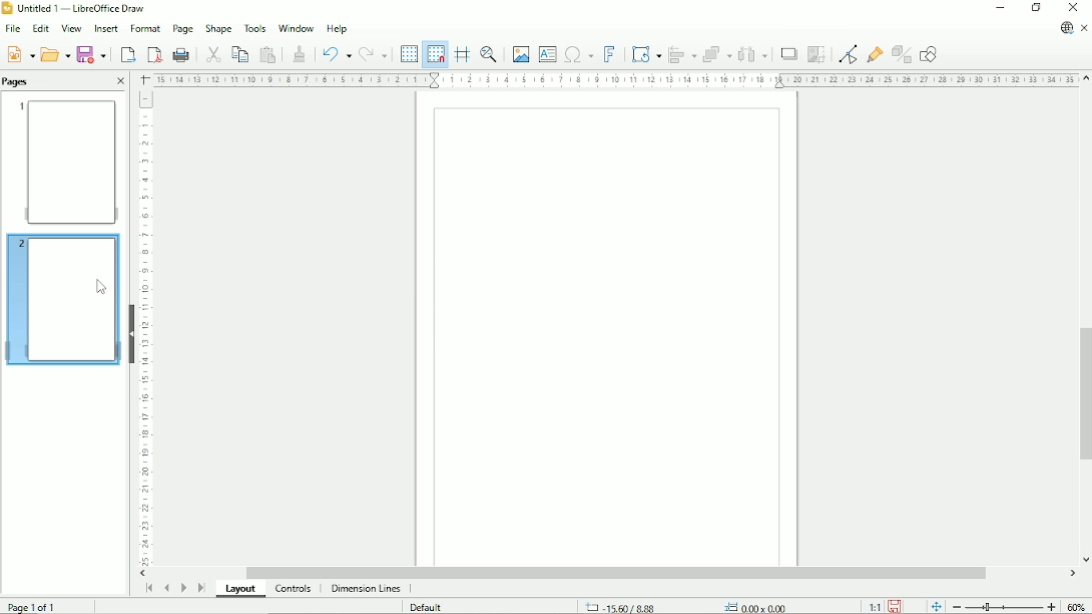  Describe the element at coordinates (154, 55) in the screenshot. I see `Export directly as PDF` at that location.